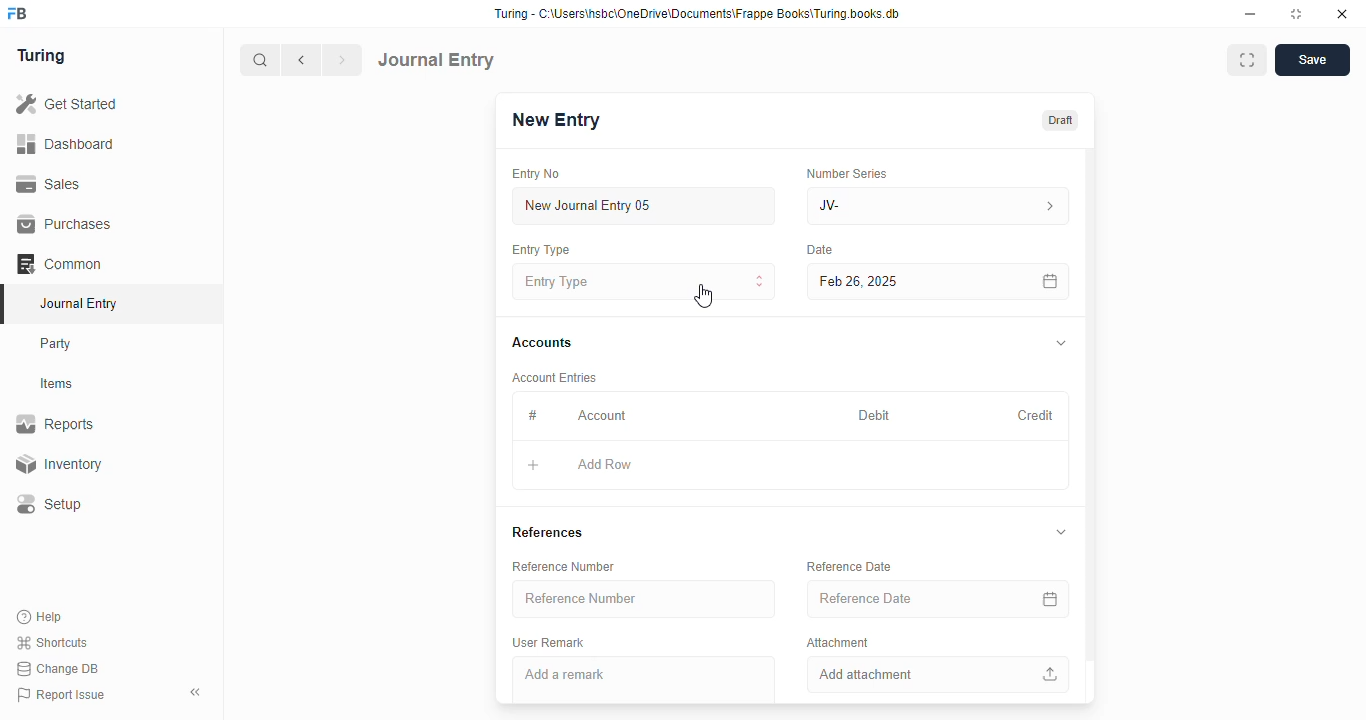 This screenshot has width=1366, height=720. I want to click on turing, so click(42, 57).